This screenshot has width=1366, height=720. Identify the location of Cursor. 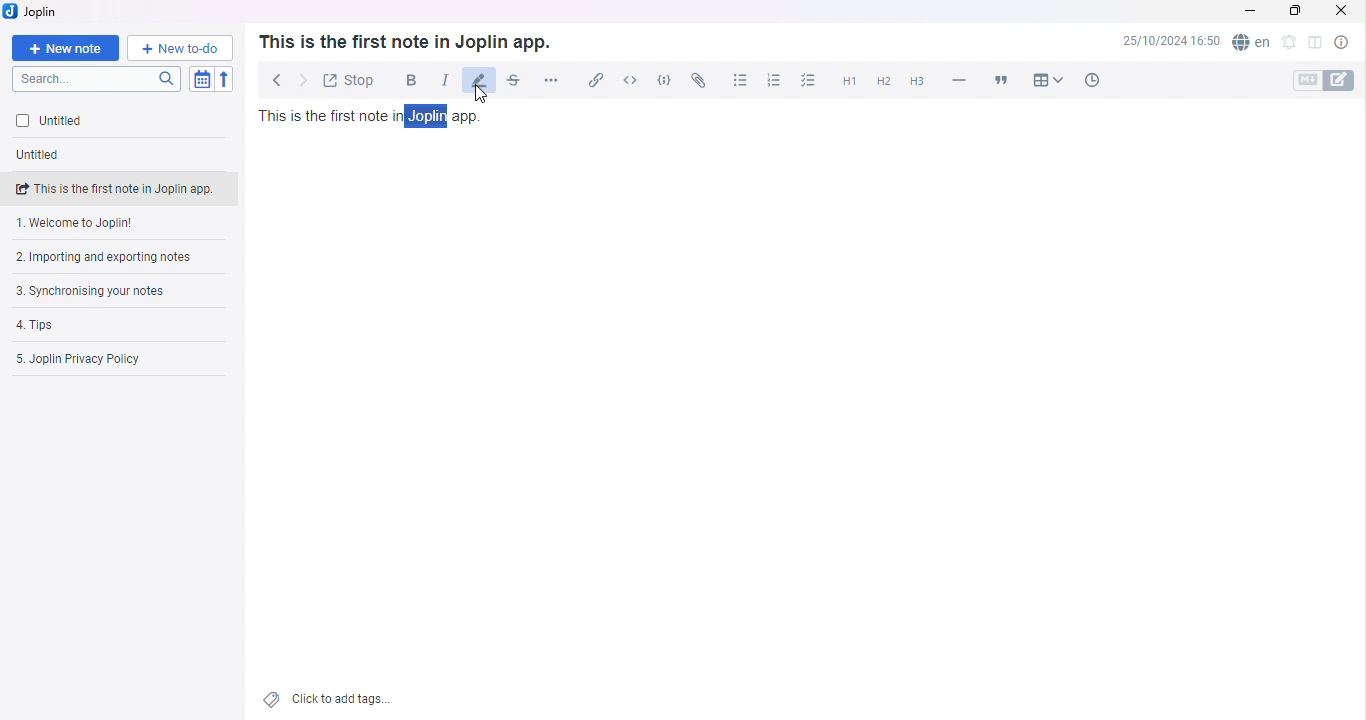
(482, 95).